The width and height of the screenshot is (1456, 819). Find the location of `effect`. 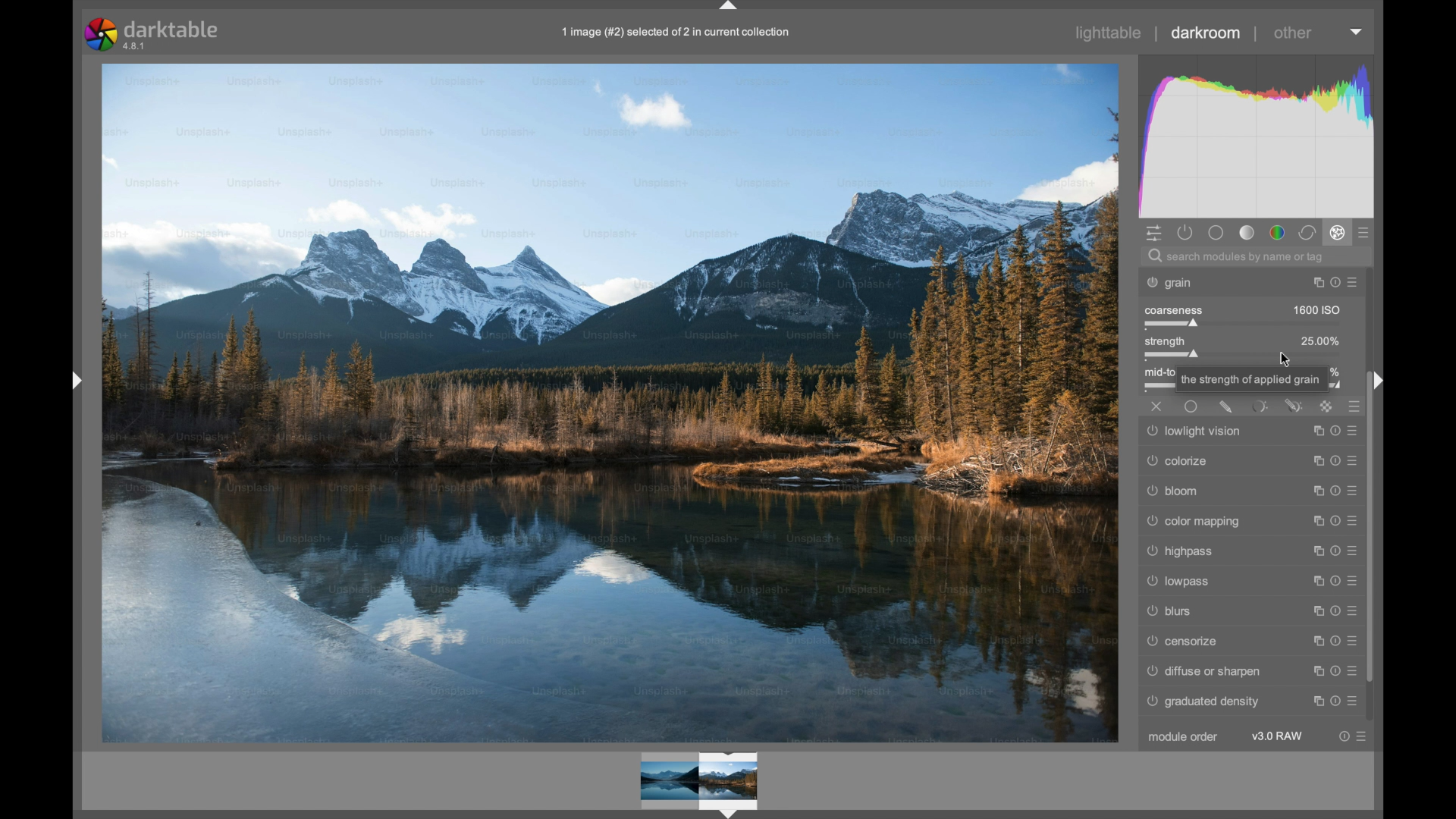

effect is located at coordinates (1338, 232).